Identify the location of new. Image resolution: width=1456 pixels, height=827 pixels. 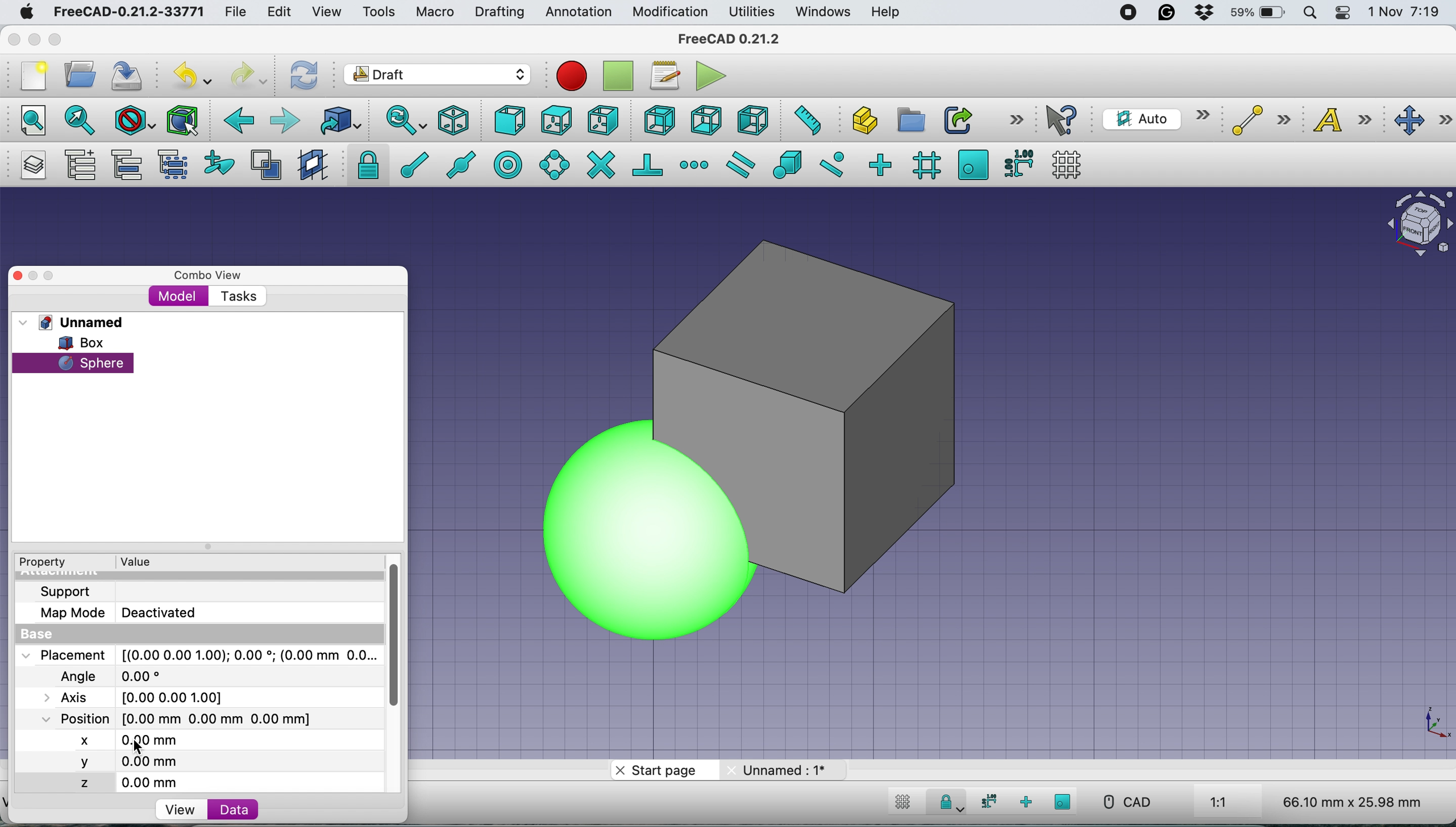
(30, 76).